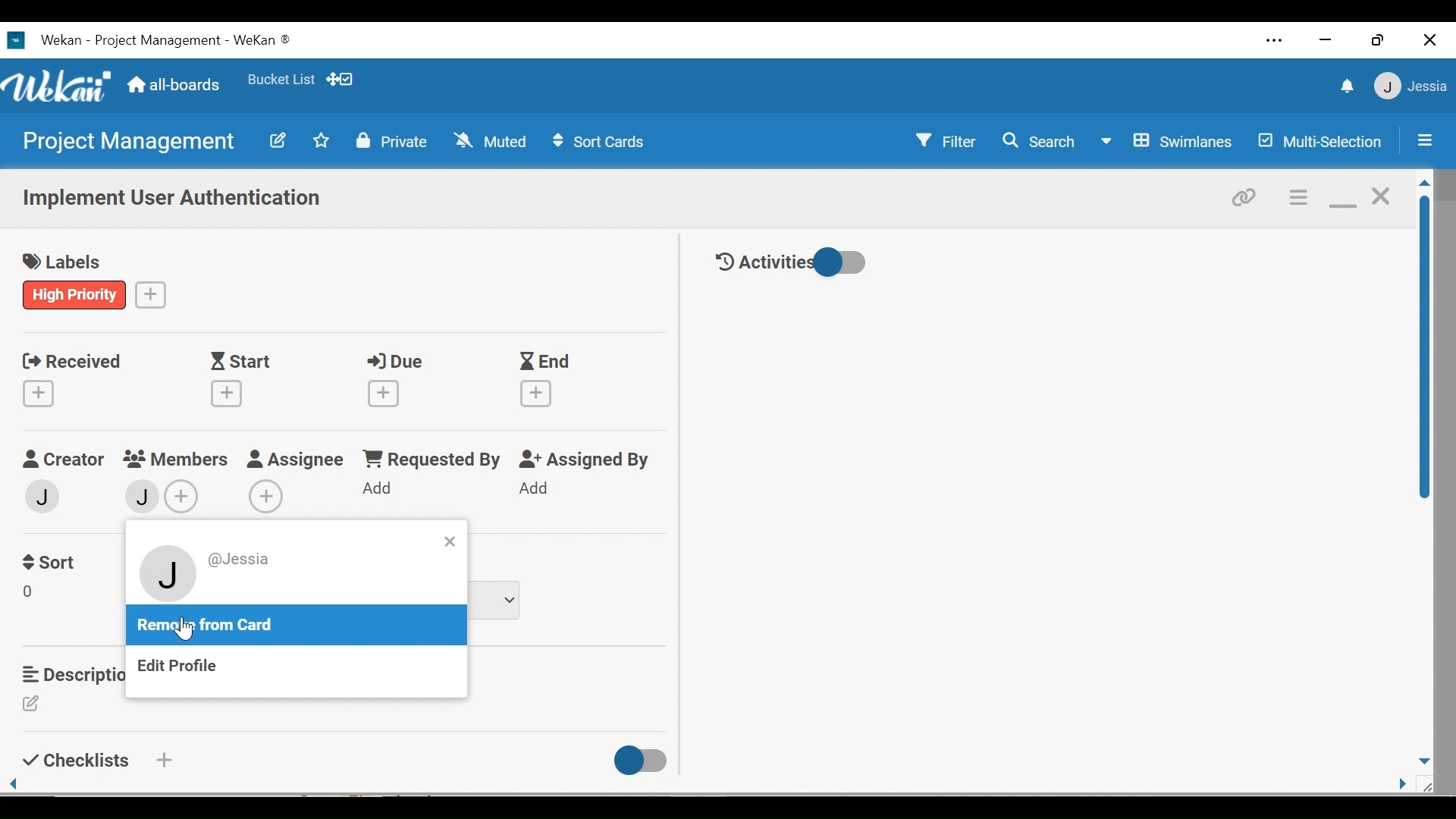 This screenshot has width=1456, height=819. Describe the element at coordinates (540, 489) in the screenshot. I see `add` at that location.